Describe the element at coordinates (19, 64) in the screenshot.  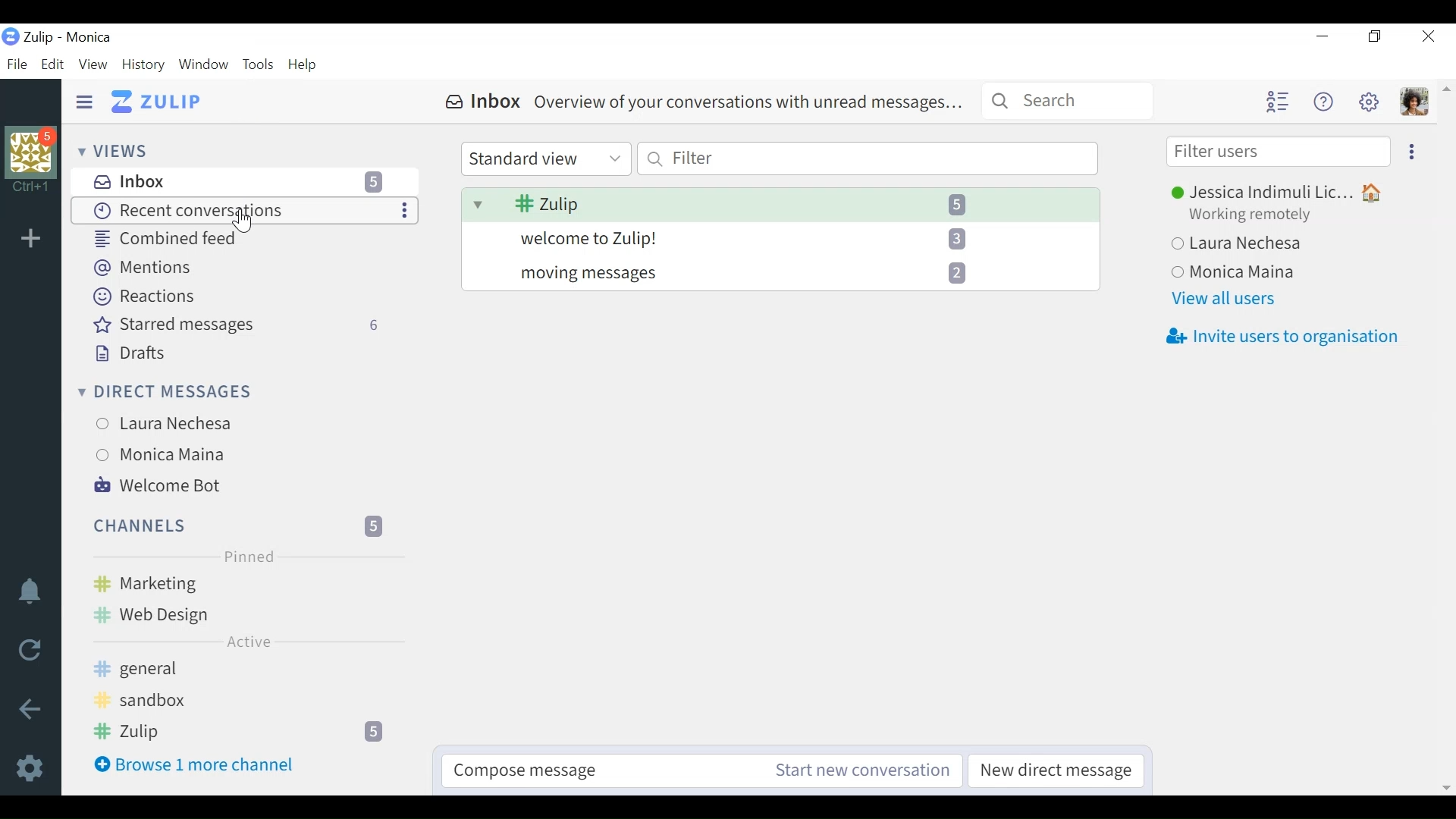
I see `File` at that location.